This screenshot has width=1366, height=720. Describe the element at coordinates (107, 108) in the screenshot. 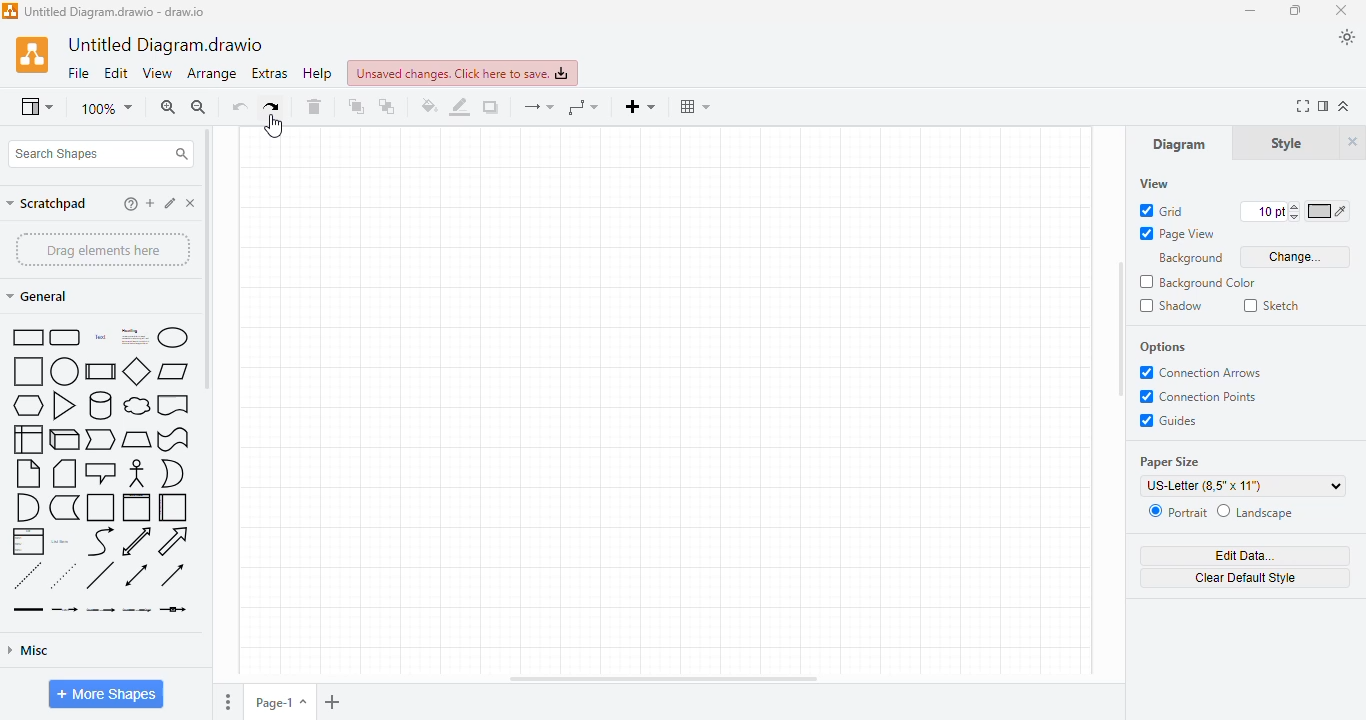

I see `zoom` at that location.